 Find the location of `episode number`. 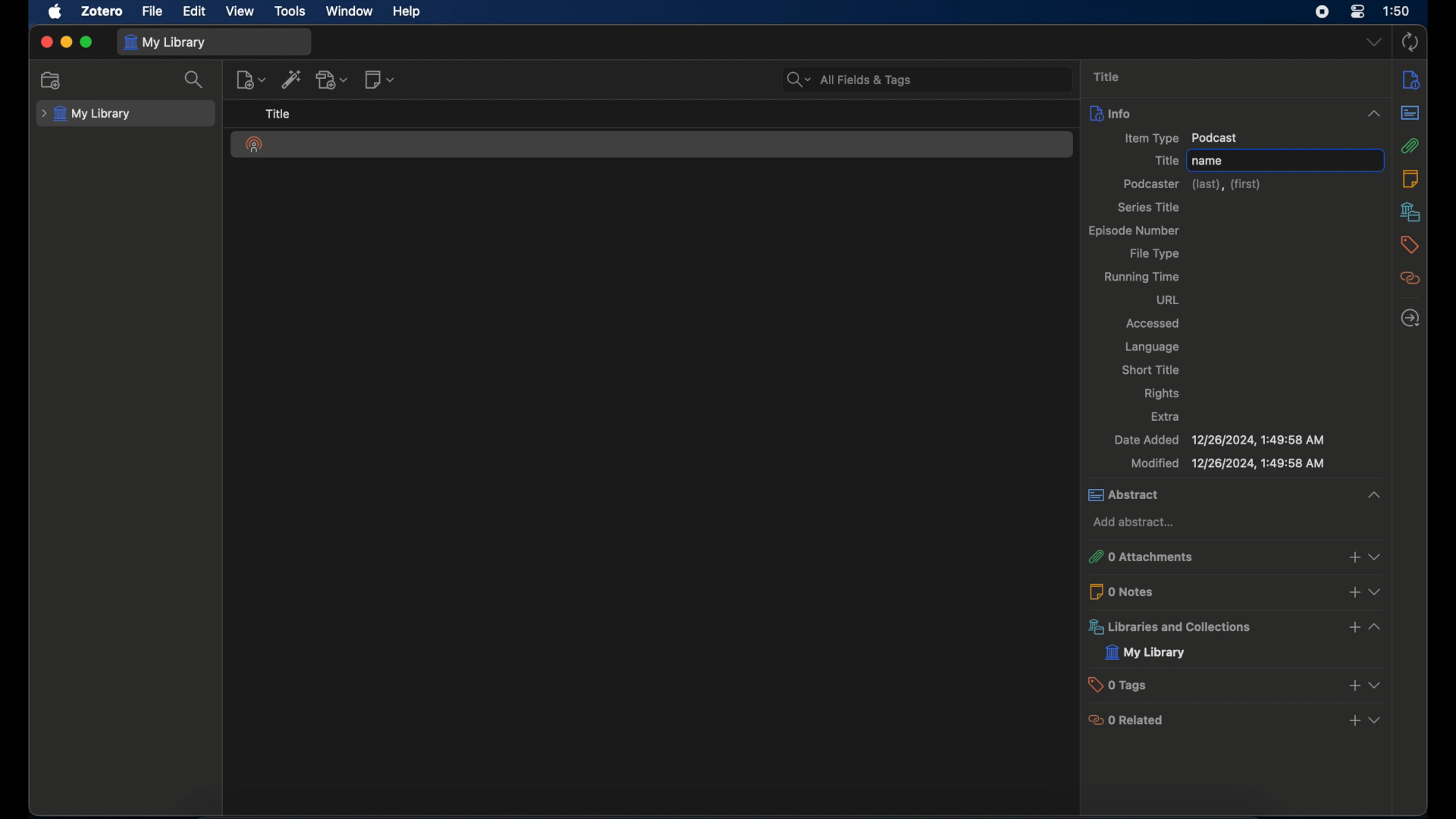

episode number is located at coordinates (1132, 231).